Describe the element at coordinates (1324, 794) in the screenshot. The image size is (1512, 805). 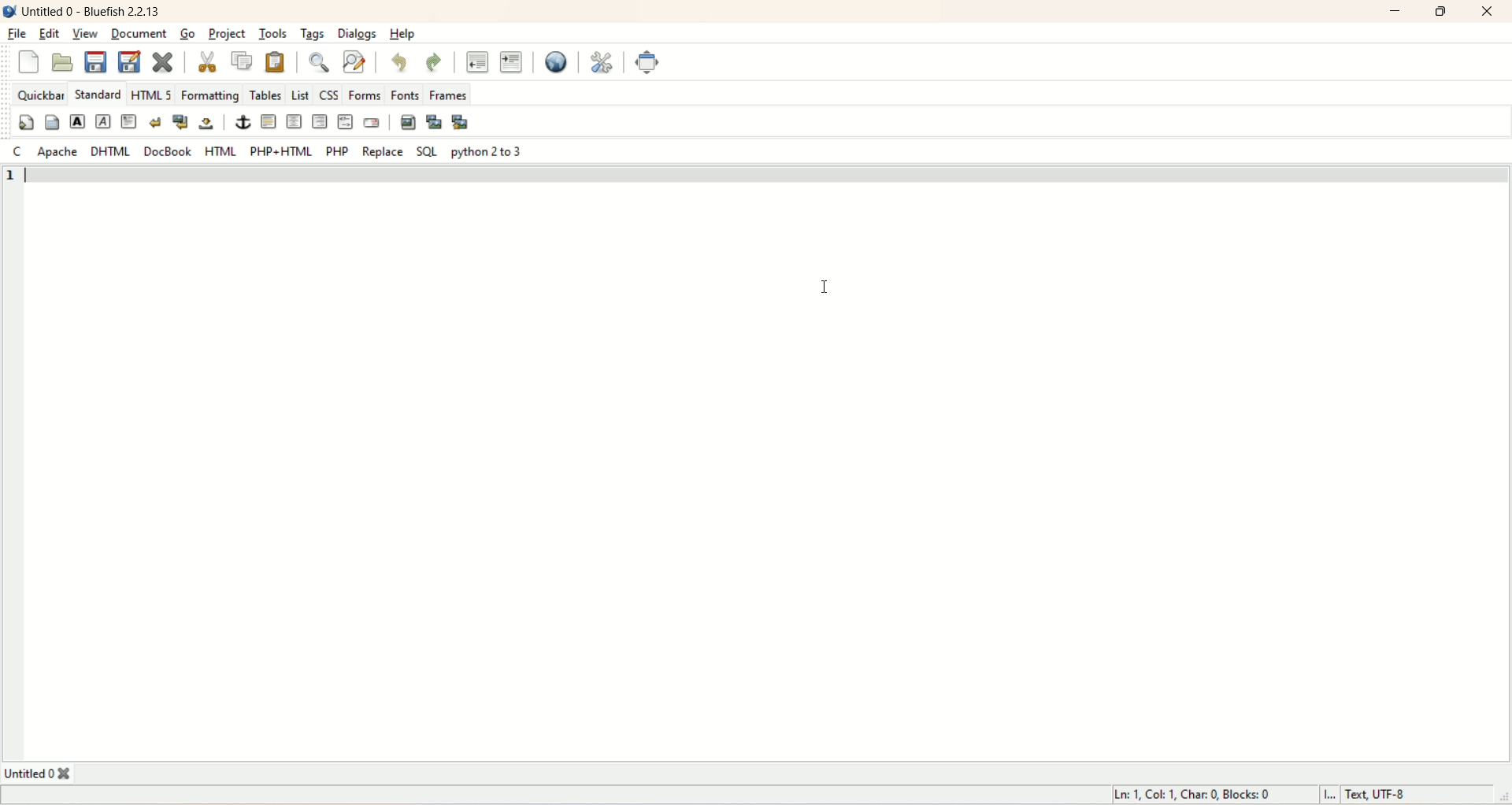
I see `I` at that location.